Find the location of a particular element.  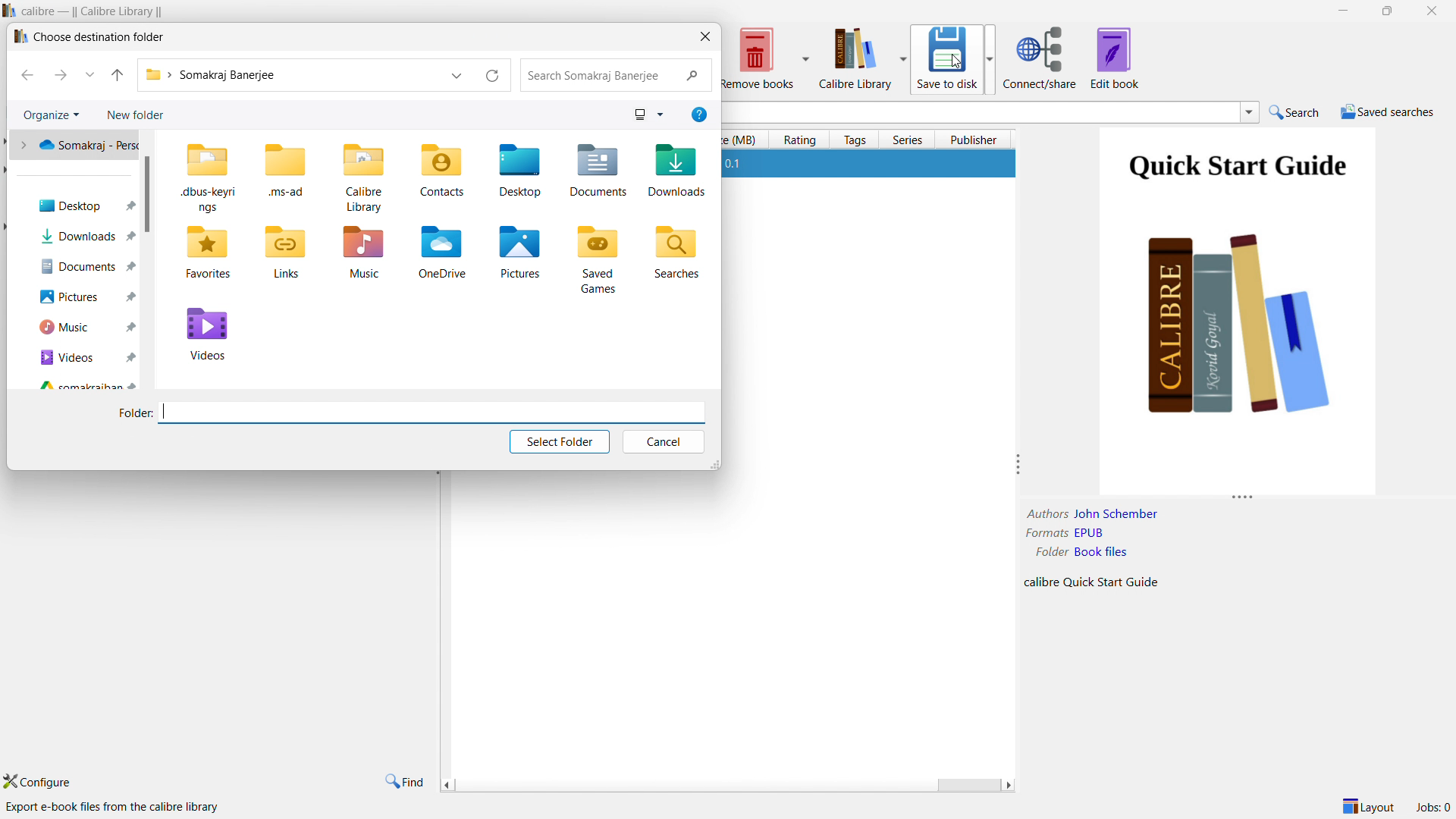

Saved Games is located at coordinates (598, 263).